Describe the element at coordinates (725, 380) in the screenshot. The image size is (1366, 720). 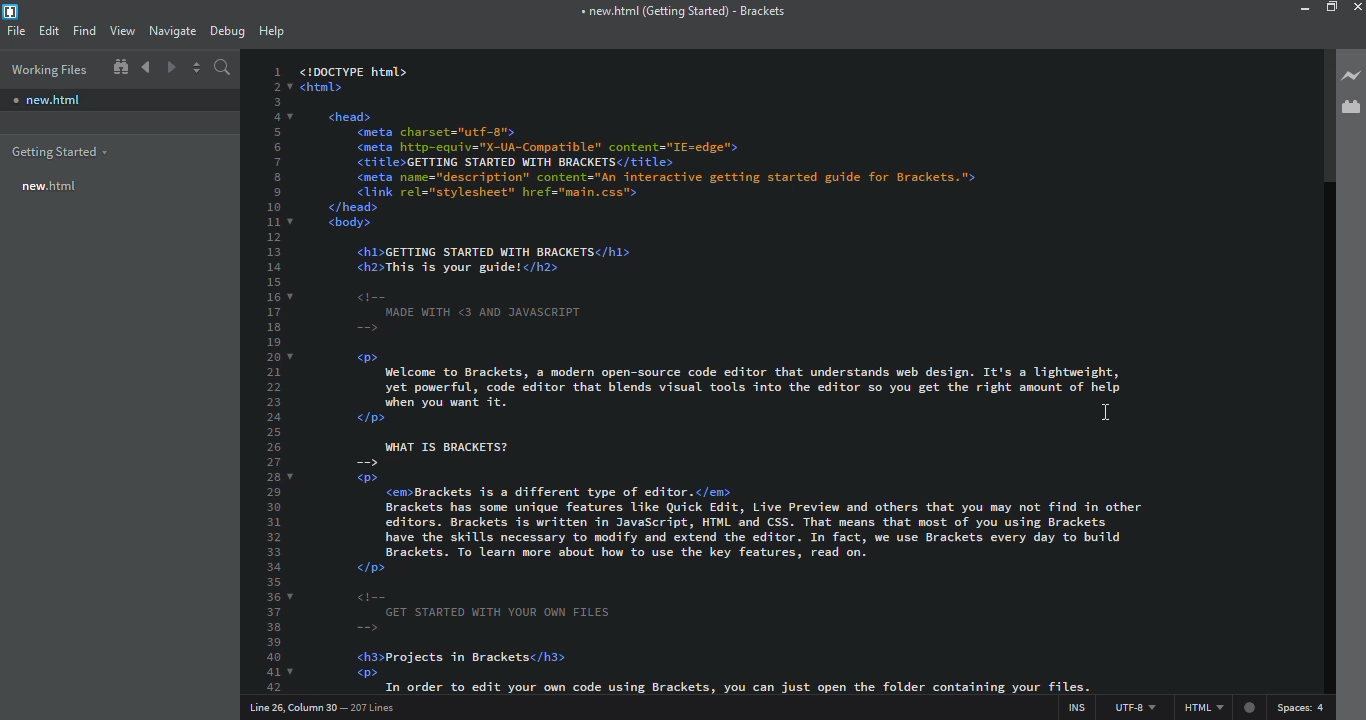
I see `test code` at that location.